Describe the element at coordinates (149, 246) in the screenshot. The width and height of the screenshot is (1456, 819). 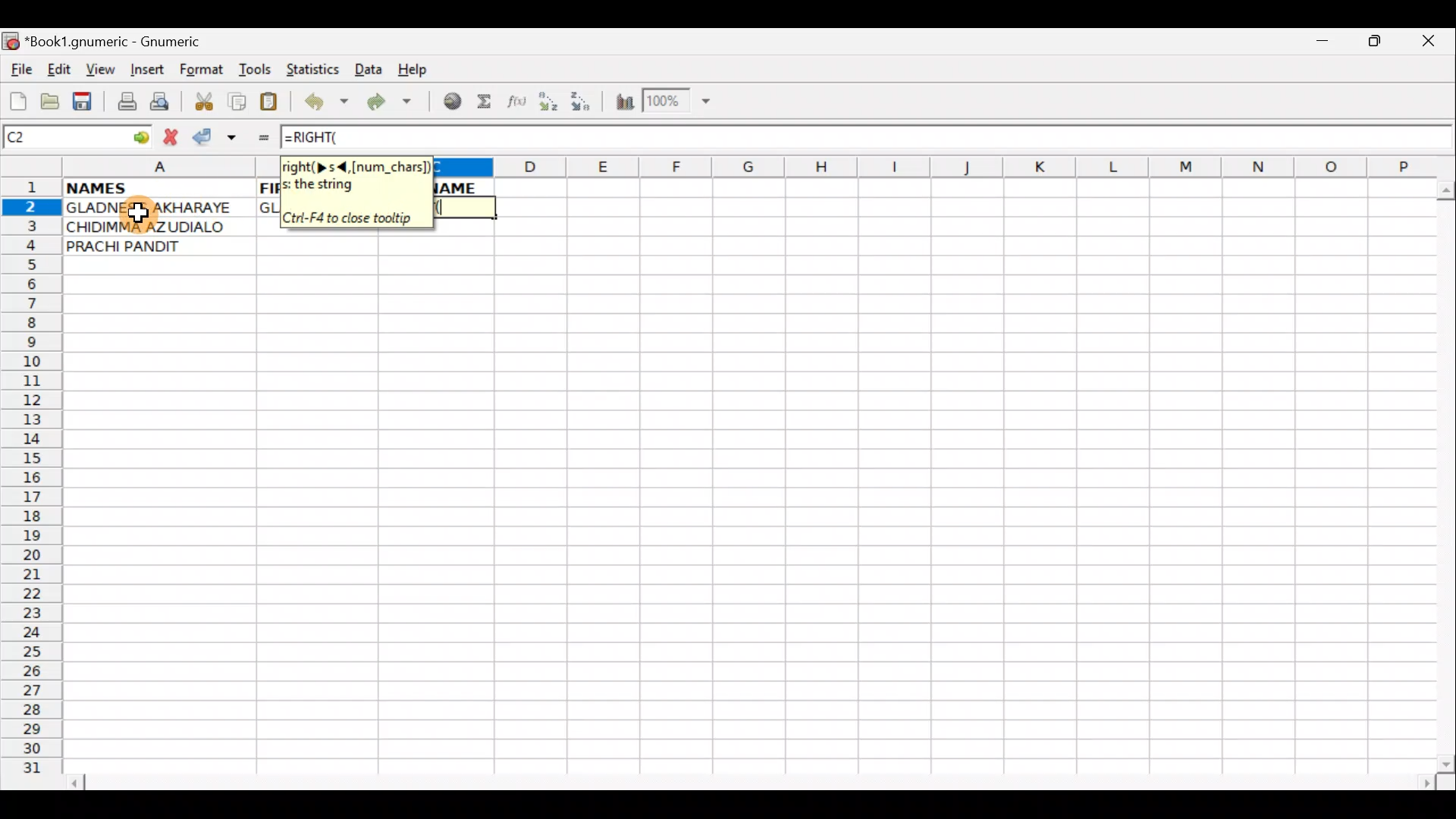
I see `PRACHI PANDIT` at that location.